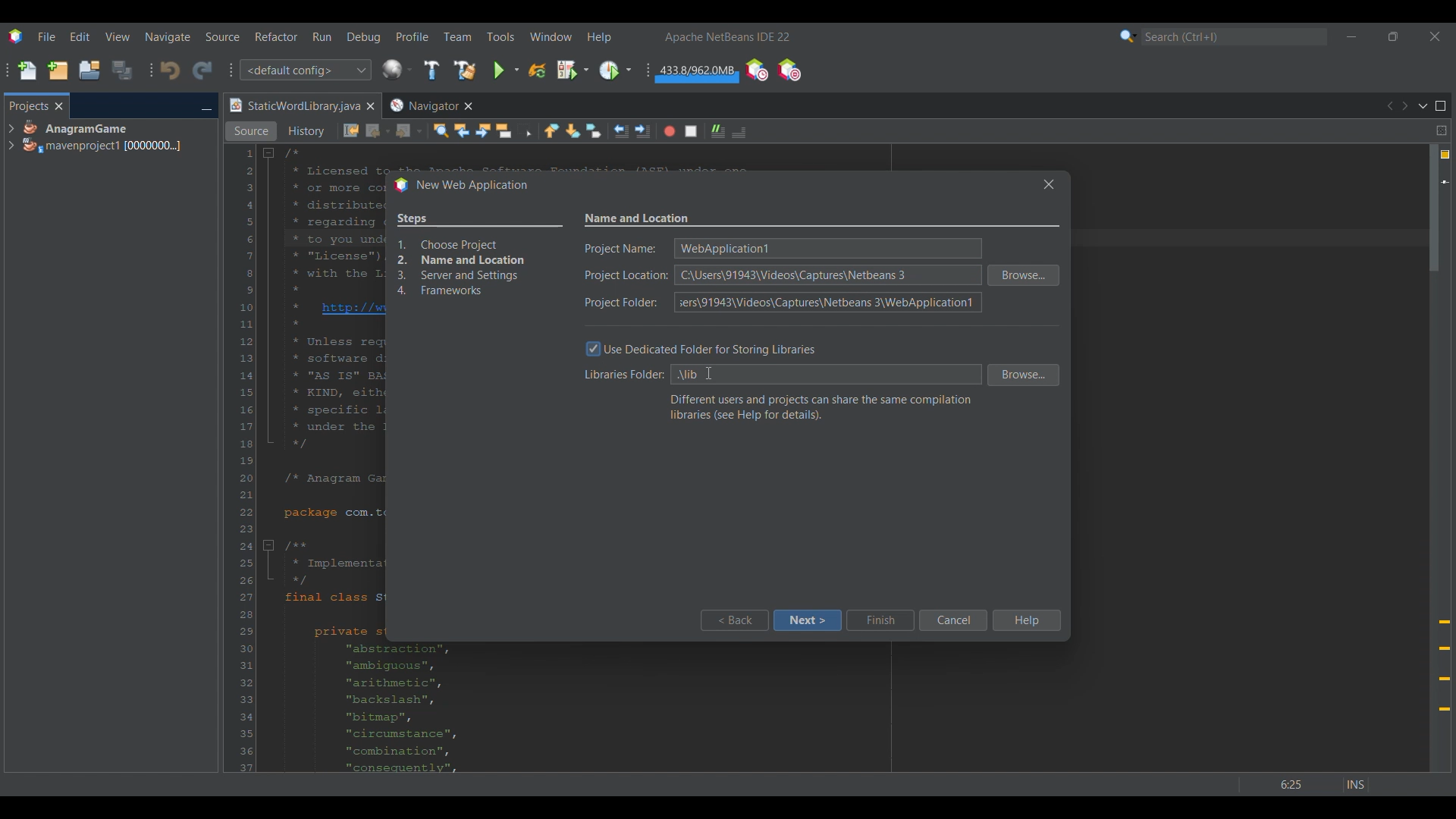 The width and height of the screenshot is (1456, 819). Describe the element at coordinates (691, 131) in the screenshot. I see `Stop macro recording` at that location.